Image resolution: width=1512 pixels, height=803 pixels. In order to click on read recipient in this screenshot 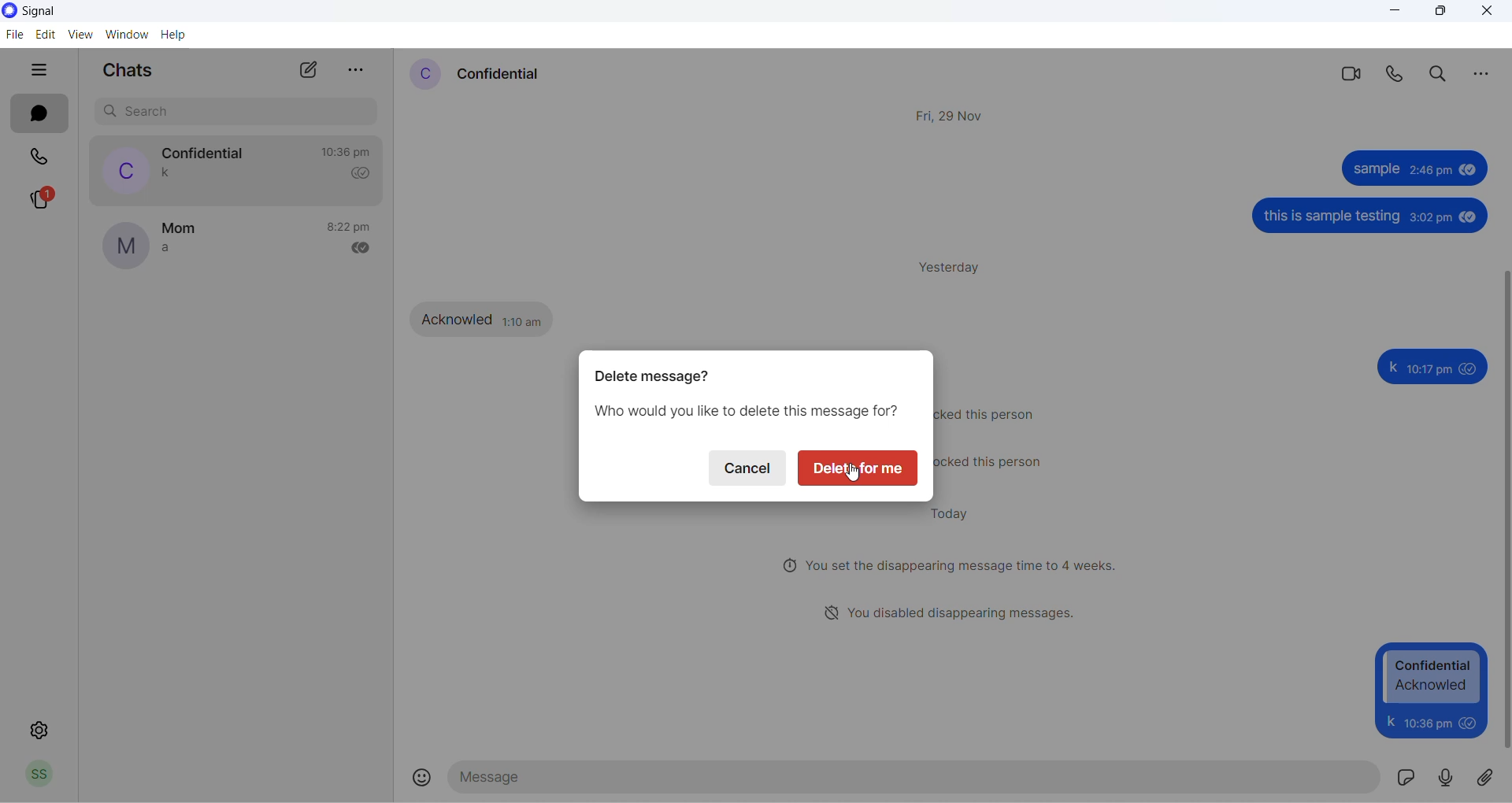, I will do `click(365, 175)`.